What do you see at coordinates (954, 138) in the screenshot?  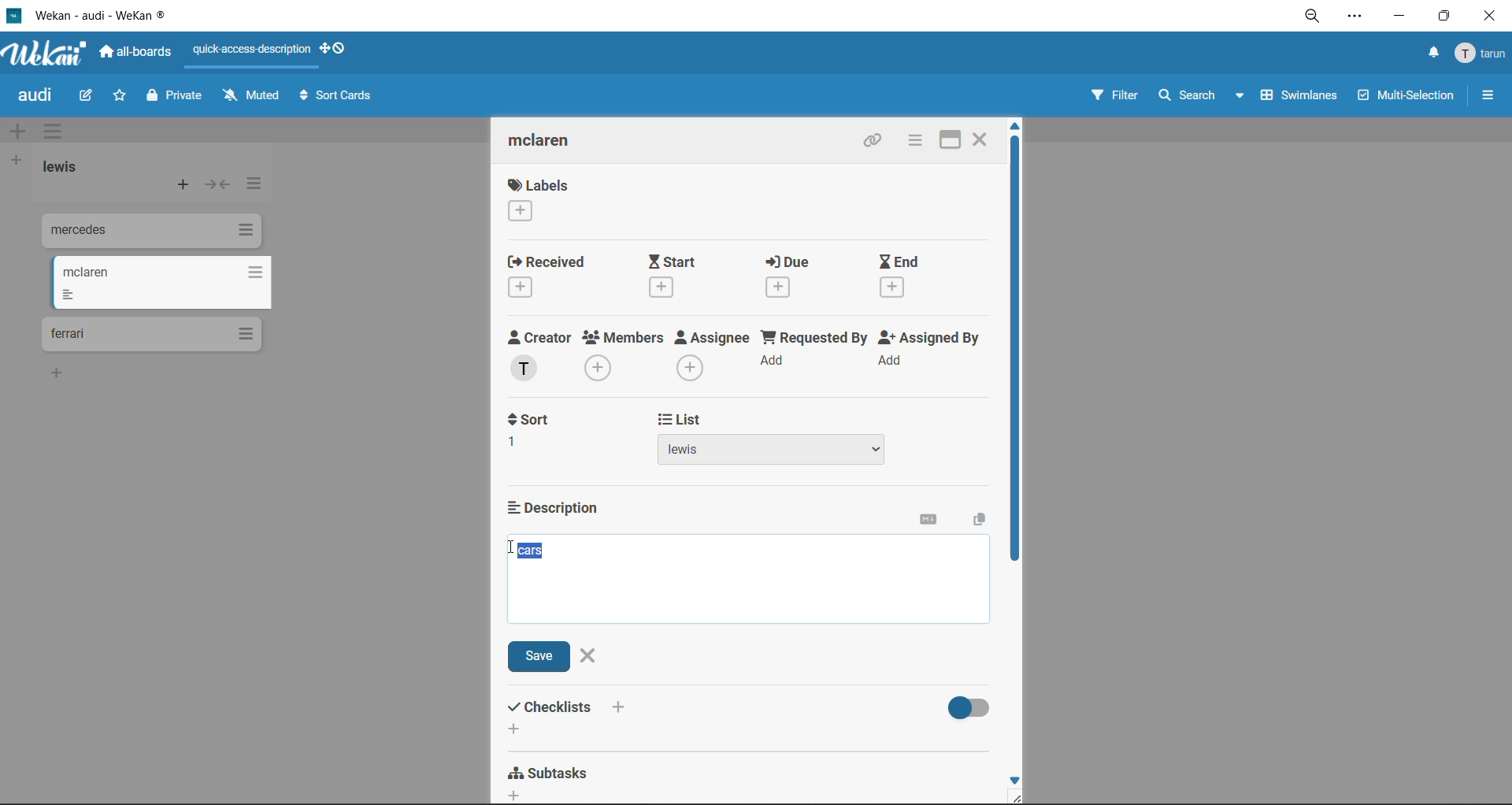 I see `maximize` at bounding box center [954, 138].